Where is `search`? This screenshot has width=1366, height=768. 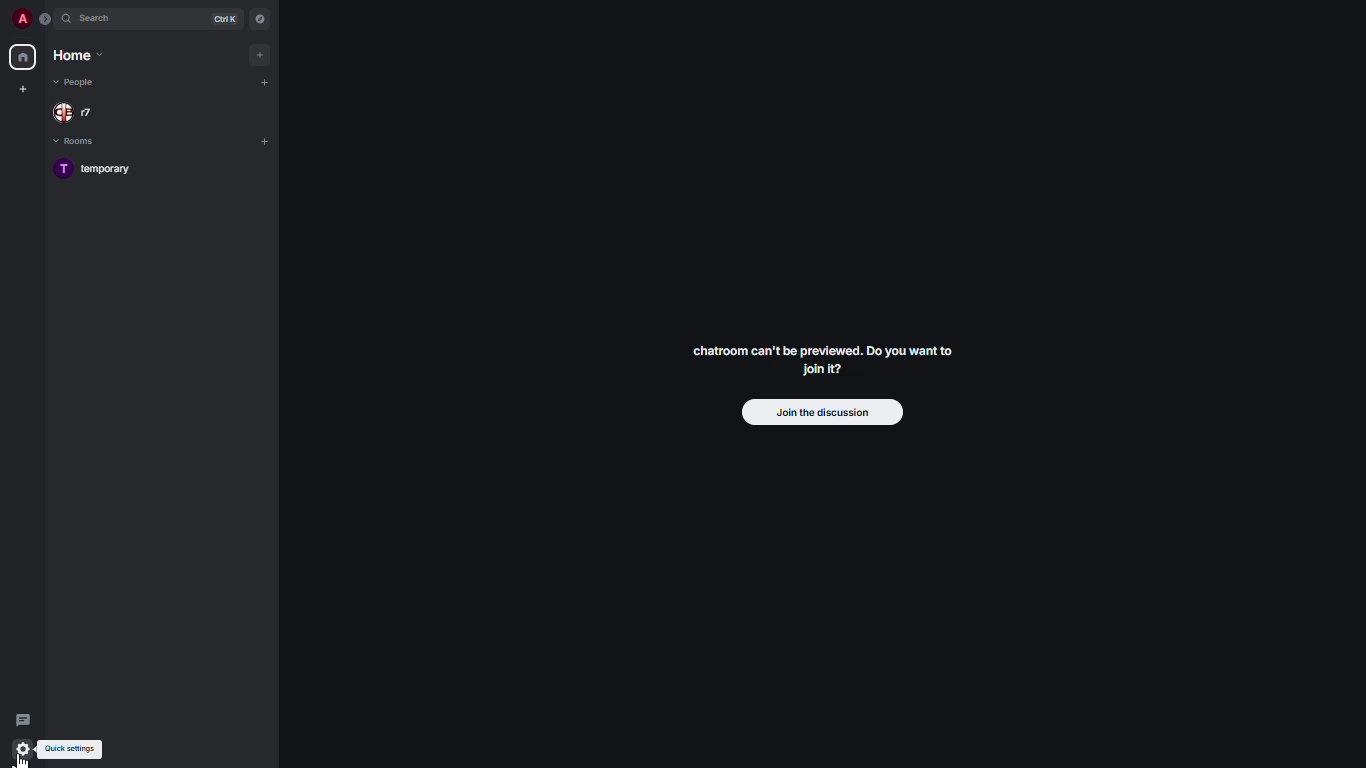 search is located at coordinates (98, 19).